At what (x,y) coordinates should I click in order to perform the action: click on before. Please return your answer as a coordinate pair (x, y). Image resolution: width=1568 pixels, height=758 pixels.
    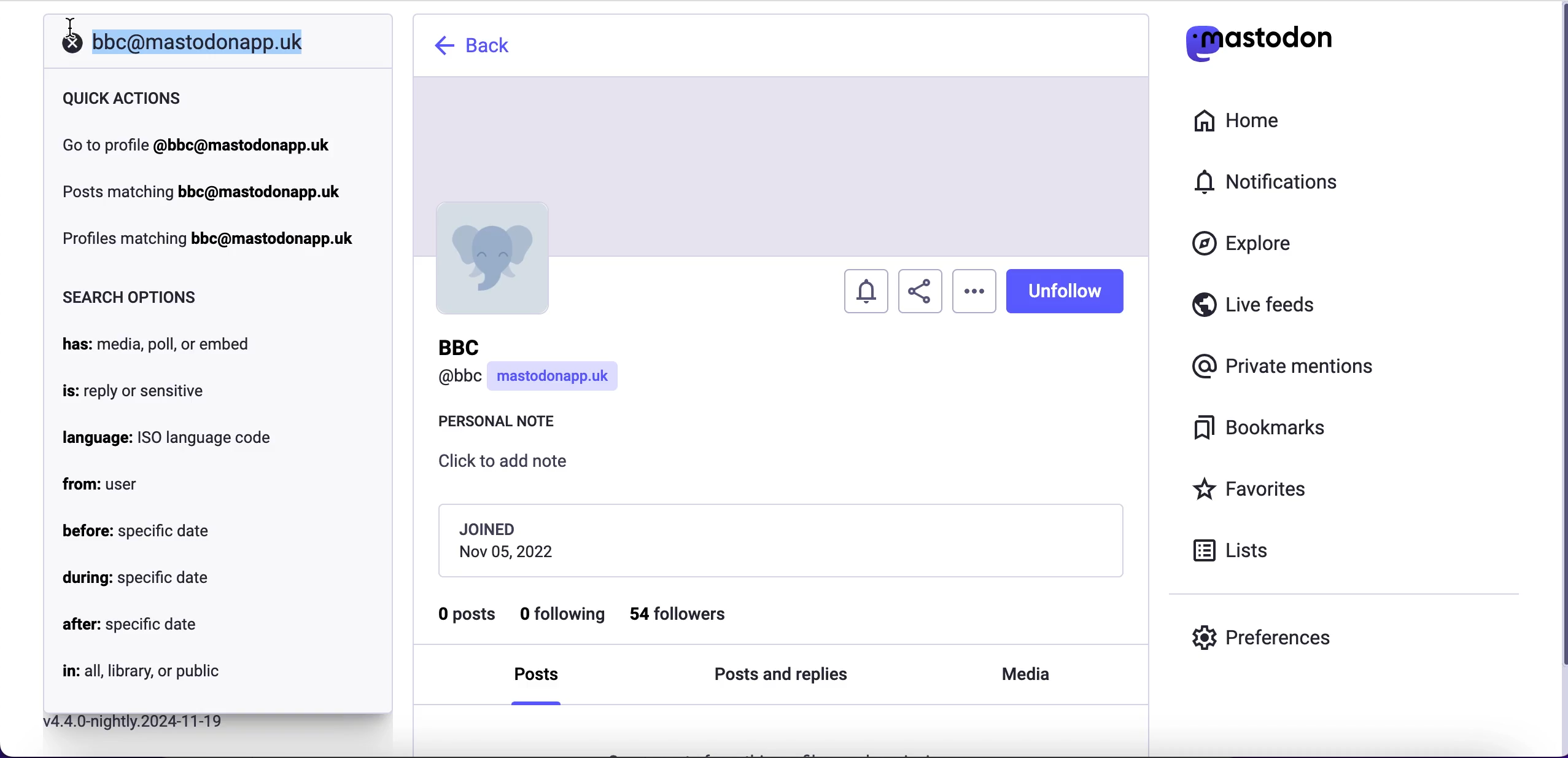
    Looking at the image, I should click on (136, 530).